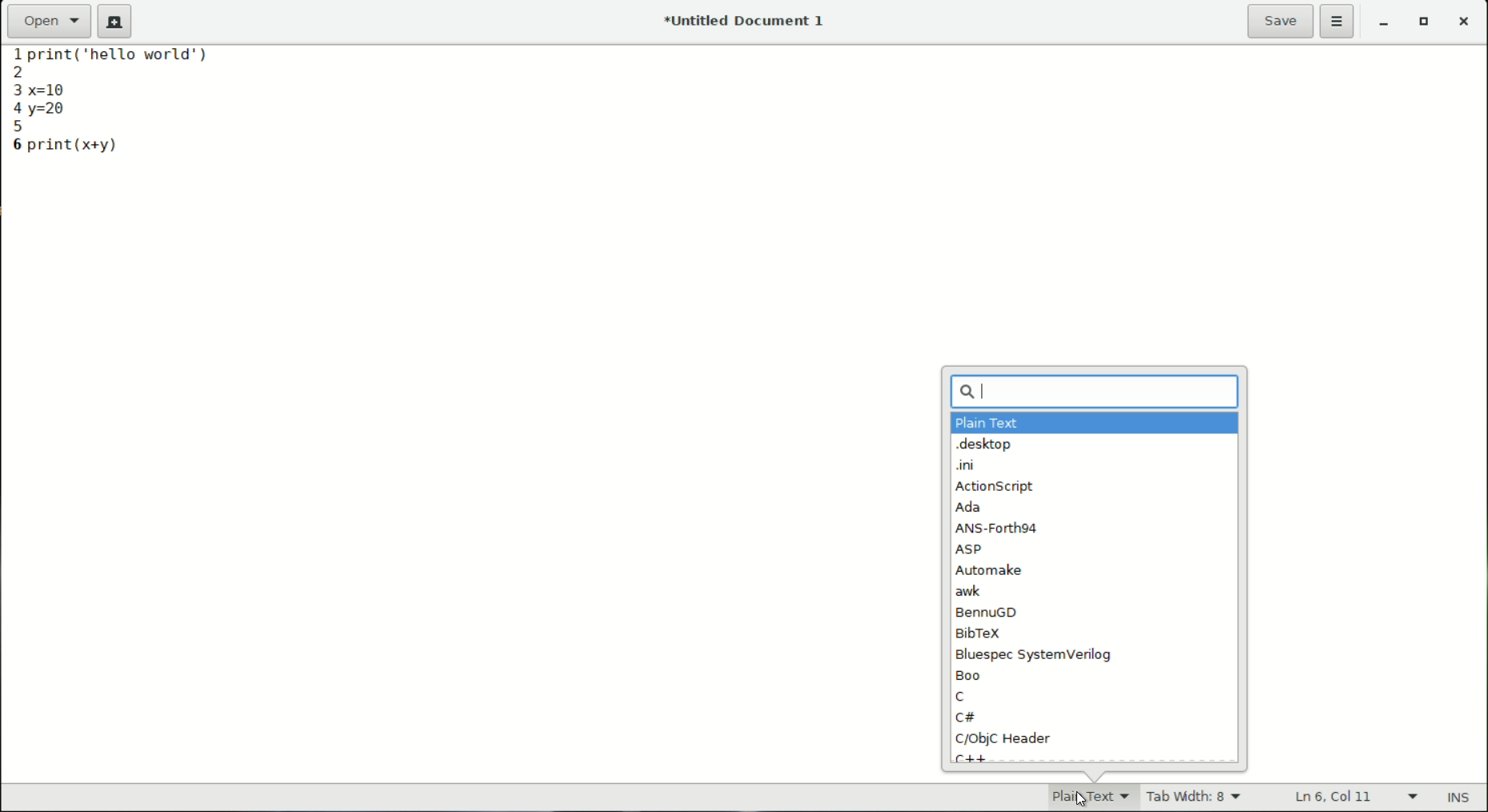 This screenshot has height=812, width=1488. What do you see at coordinates (1466, 24) in the screenshot?
I see `close app` at bounding box center [1466, 24].